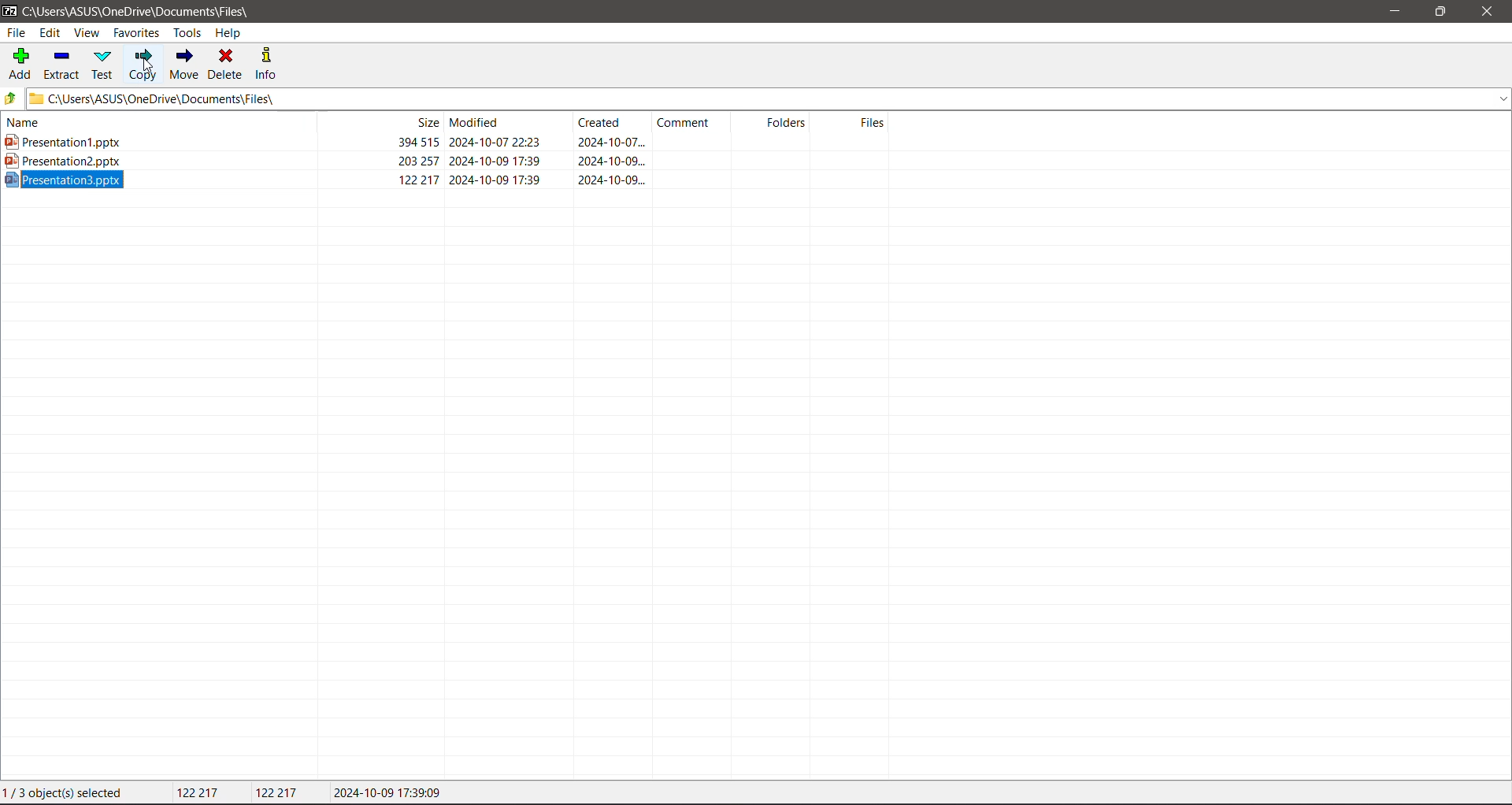 Image resolution: width=1512 pixels, height=805 pixels. I want to click on Add, so click(21, 63).